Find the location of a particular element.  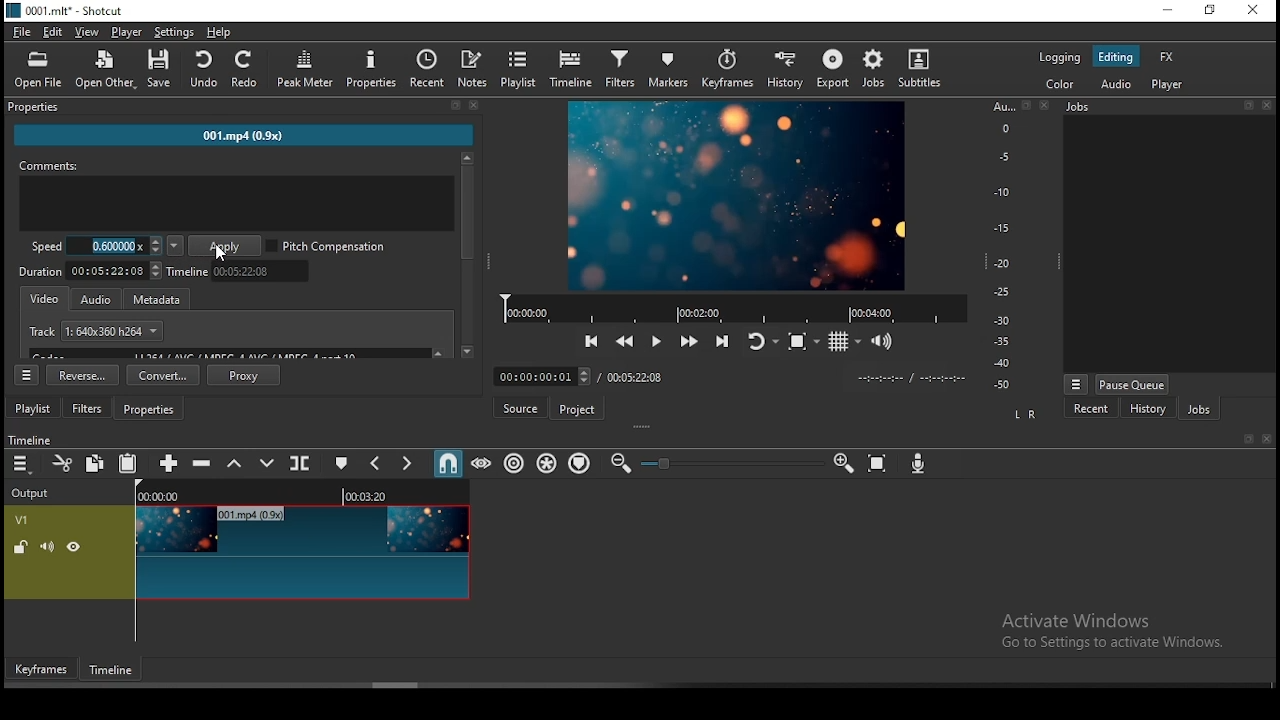

markers is located at coordinates (667, 68).